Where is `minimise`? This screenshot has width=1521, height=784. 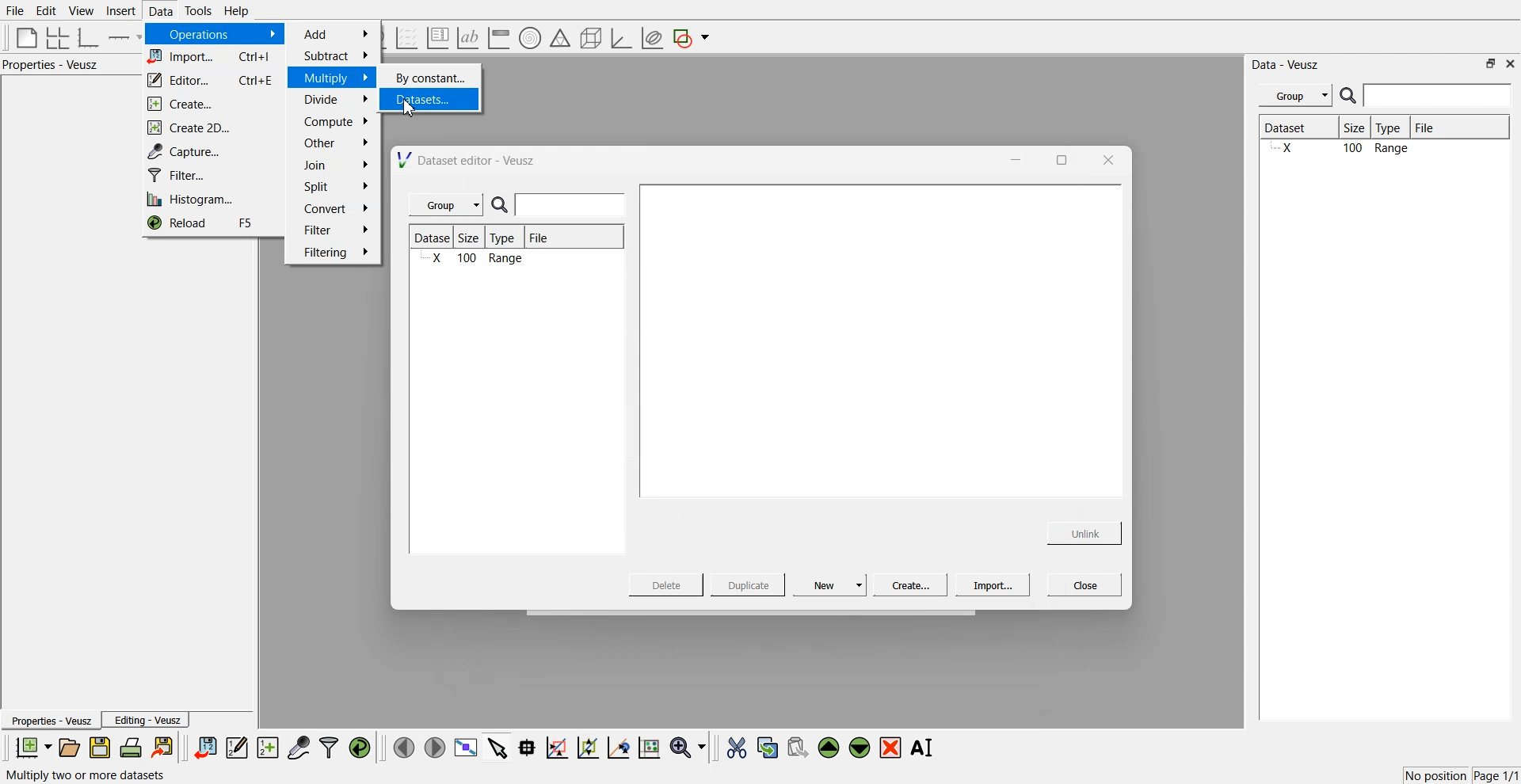 minimise is located at coordinates (1012, 158).